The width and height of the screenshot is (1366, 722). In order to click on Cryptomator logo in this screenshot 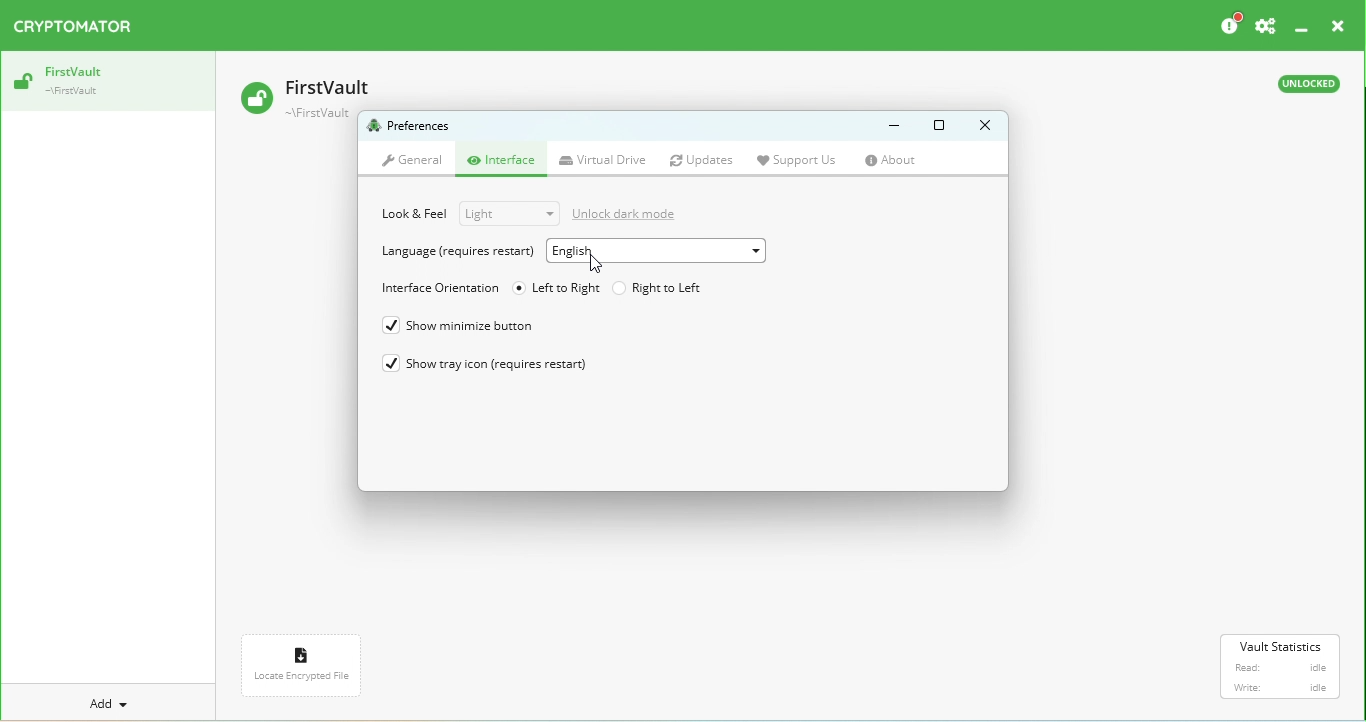, I will do `click(78, 27)`.